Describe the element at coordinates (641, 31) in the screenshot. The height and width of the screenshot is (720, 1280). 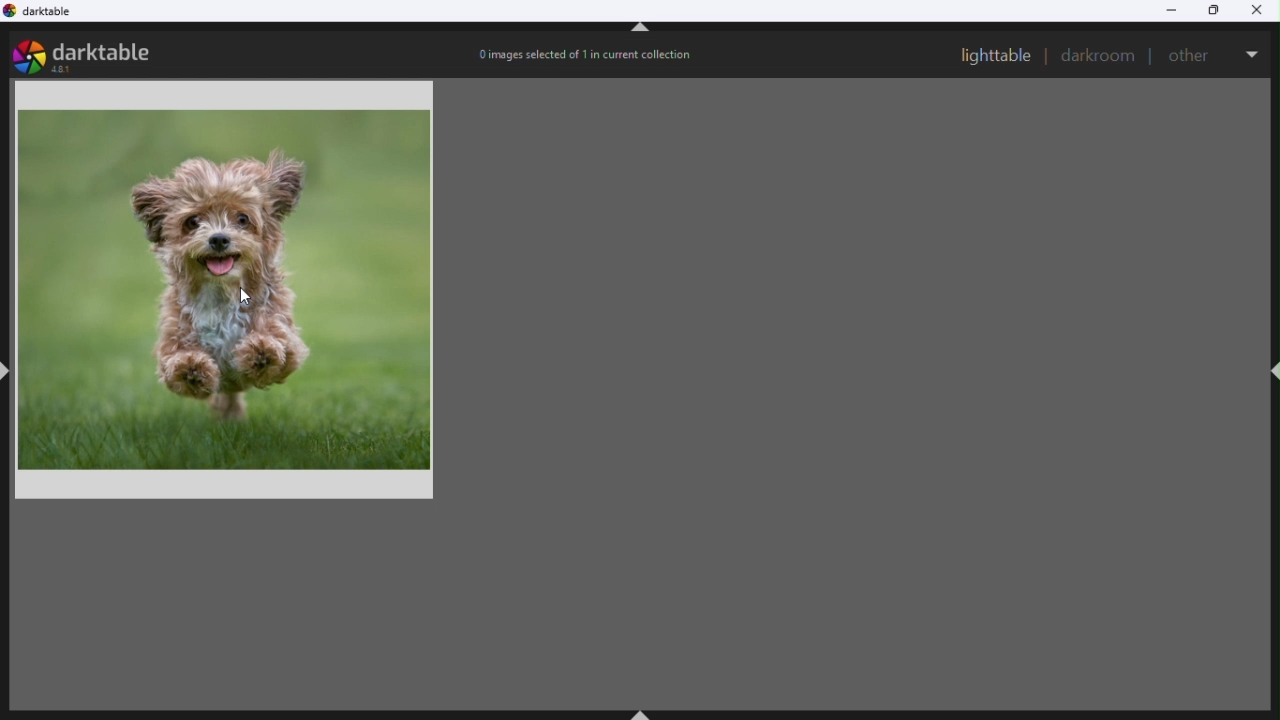
I see `shift+ctrl+t` at that location.